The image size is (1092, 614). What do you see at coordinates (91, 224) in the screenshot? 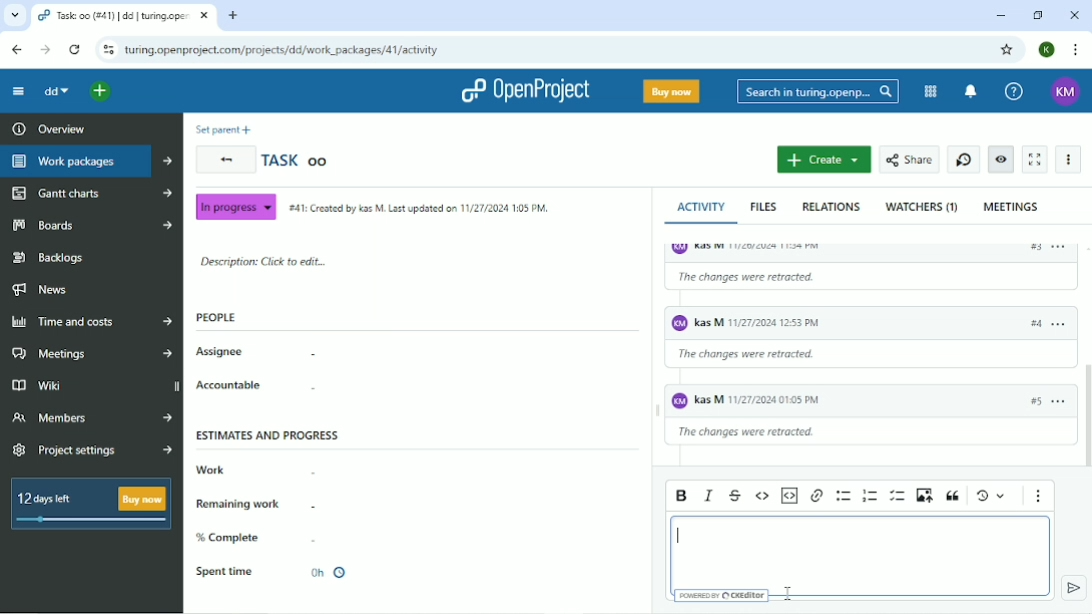
I see `Boards` at bounding box center [91, 224].